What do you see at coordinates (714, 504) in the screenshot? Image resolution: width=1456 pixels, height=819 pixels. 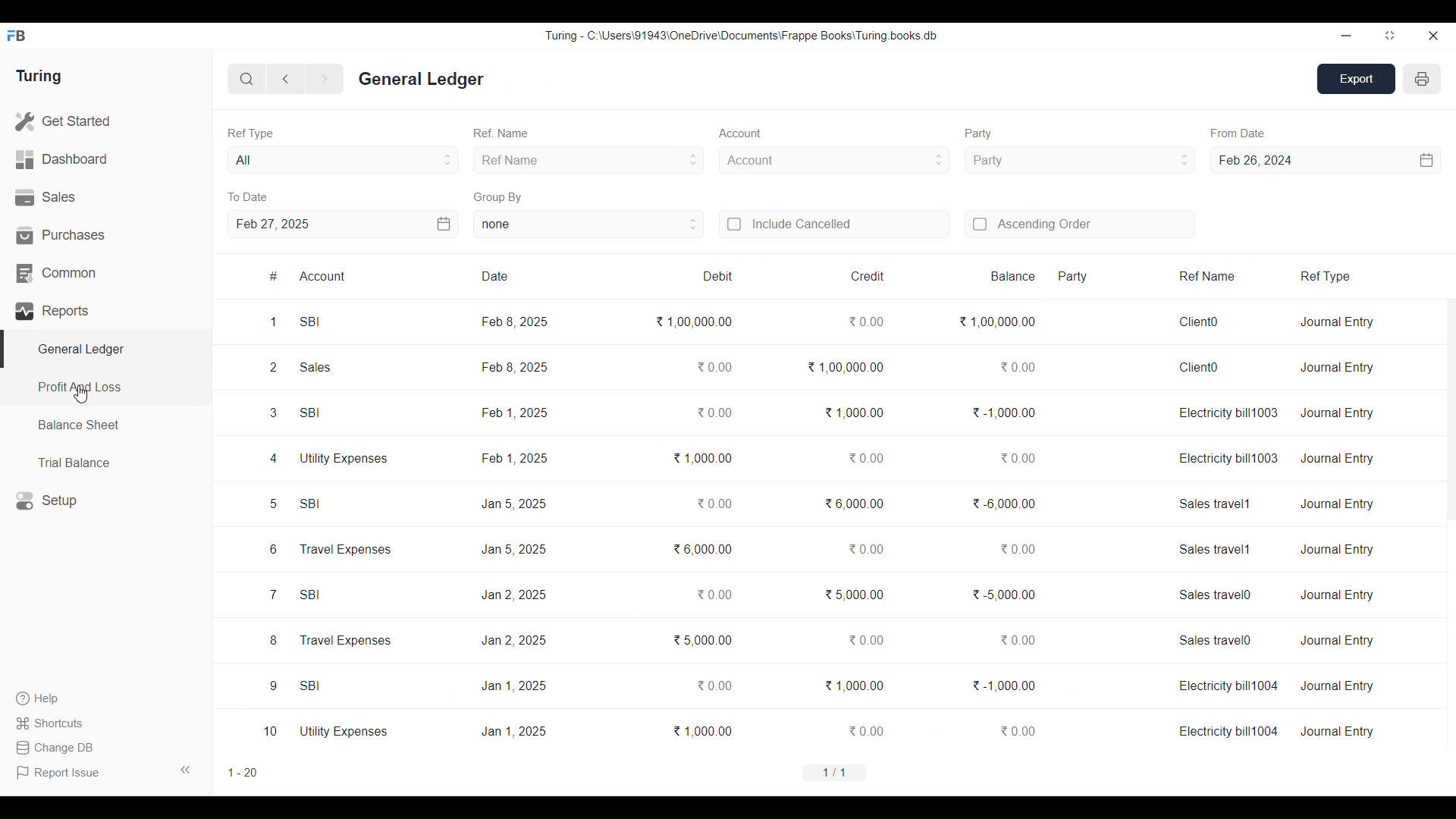 I see `0.00` at bounding box center [714, 504].